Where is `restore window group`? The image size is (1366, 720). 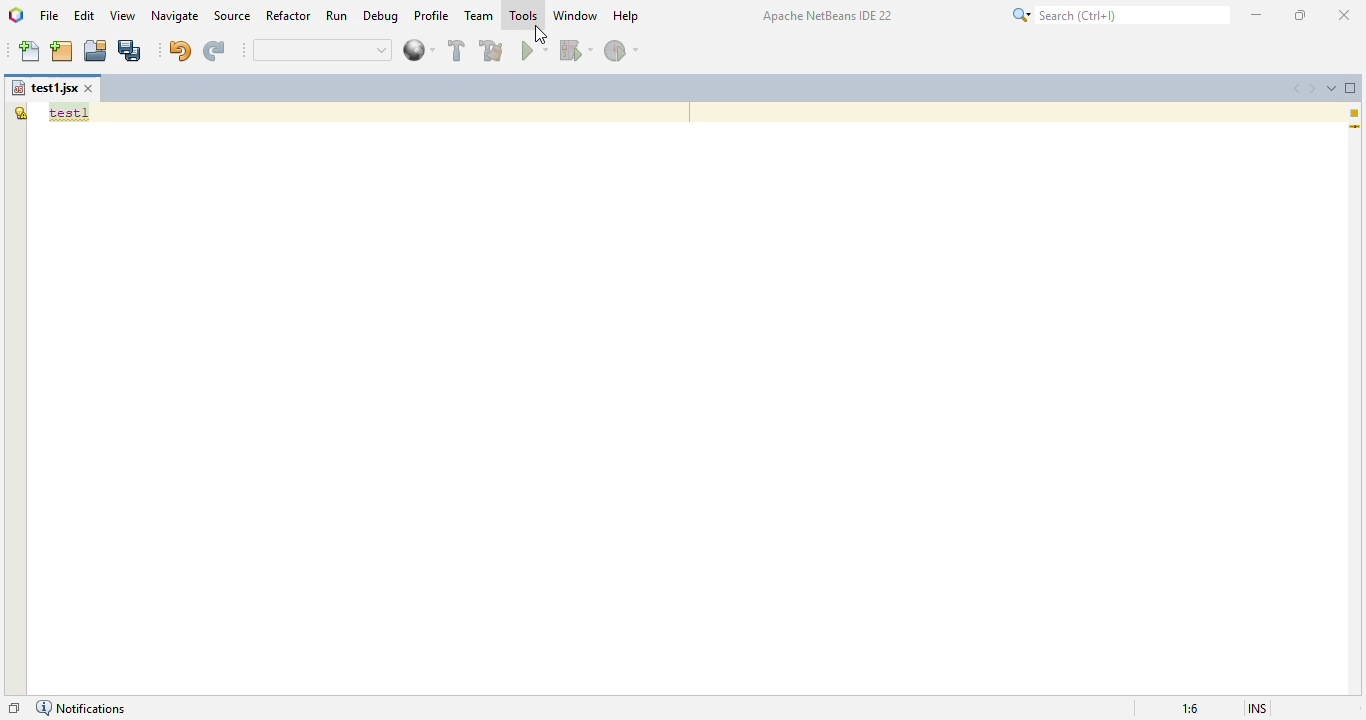
restore window group is located at coordinates (14, 708).